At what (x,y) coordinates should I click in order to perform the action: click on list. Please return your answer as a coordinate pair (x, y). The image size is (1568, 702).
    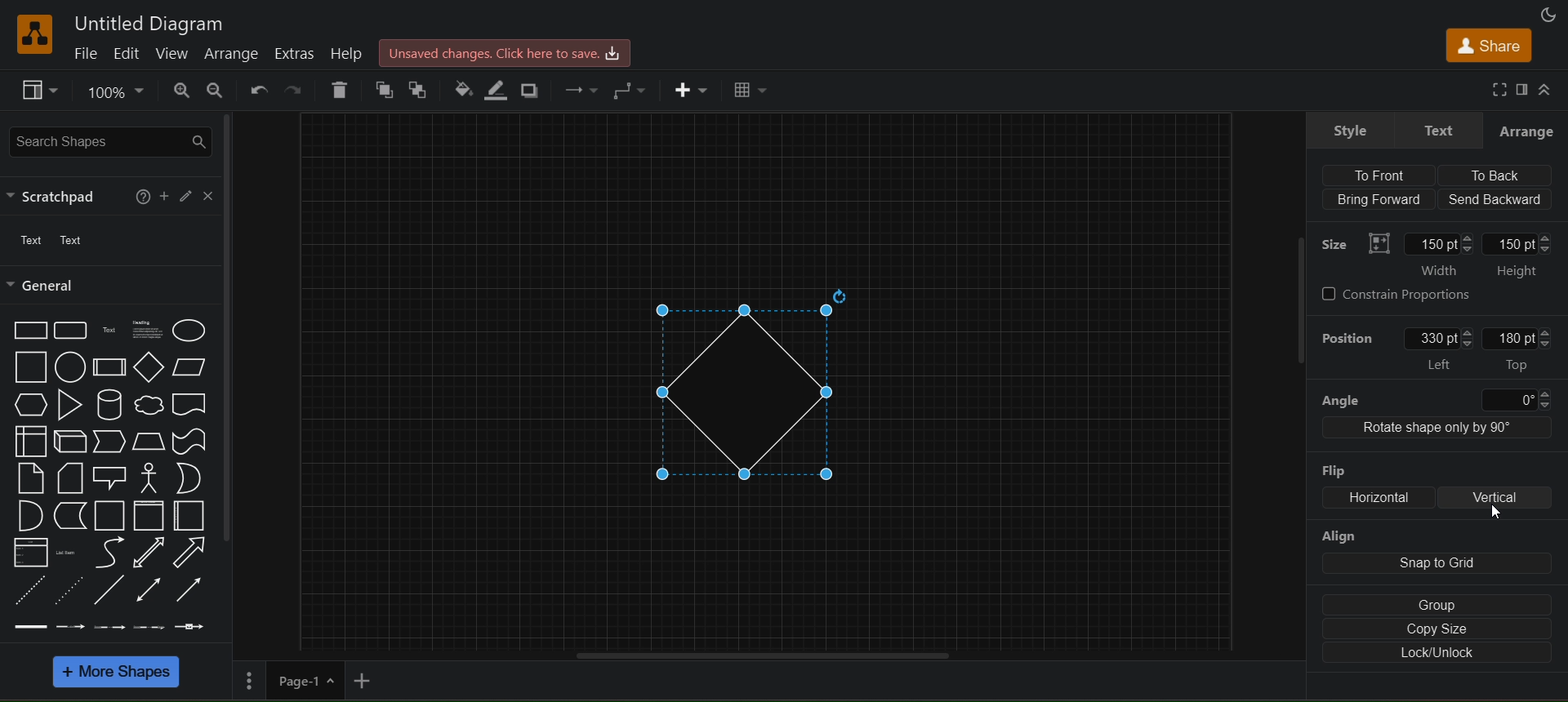
    Looking at the image, I should click on (28, 553).